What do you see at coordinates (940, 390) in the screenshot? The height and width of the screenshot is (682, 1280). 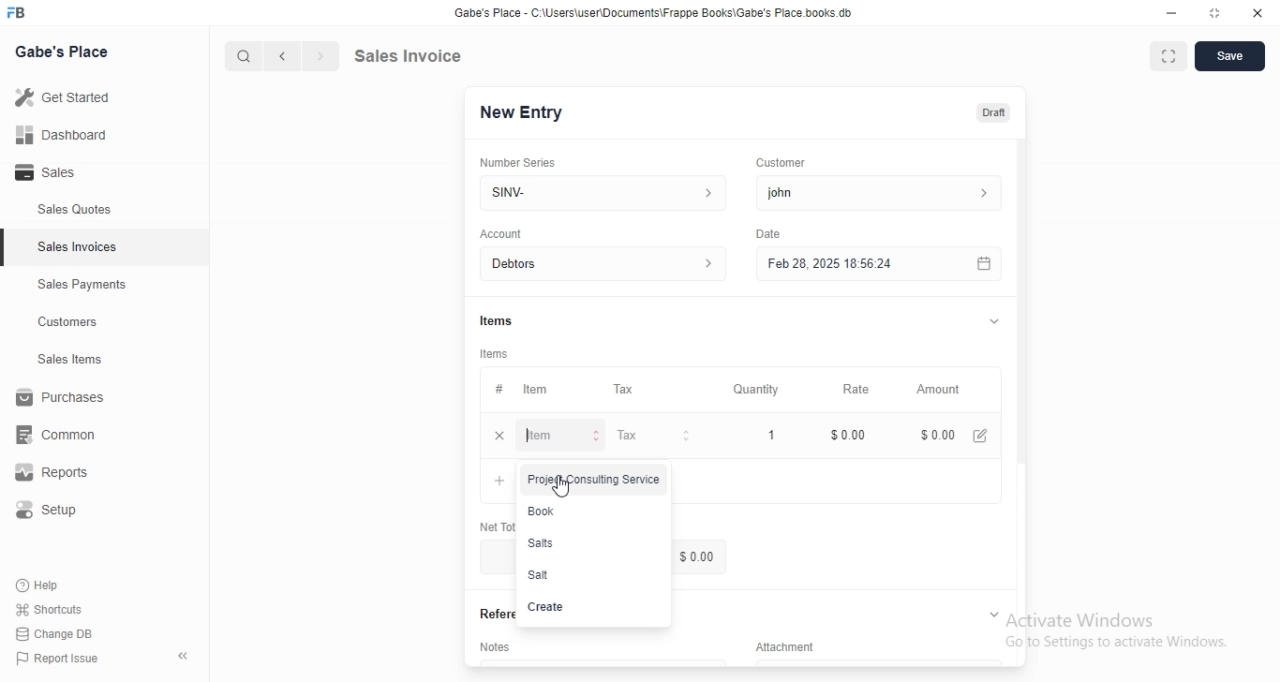 I see `‘Amount` at bounding box center [940, 390].